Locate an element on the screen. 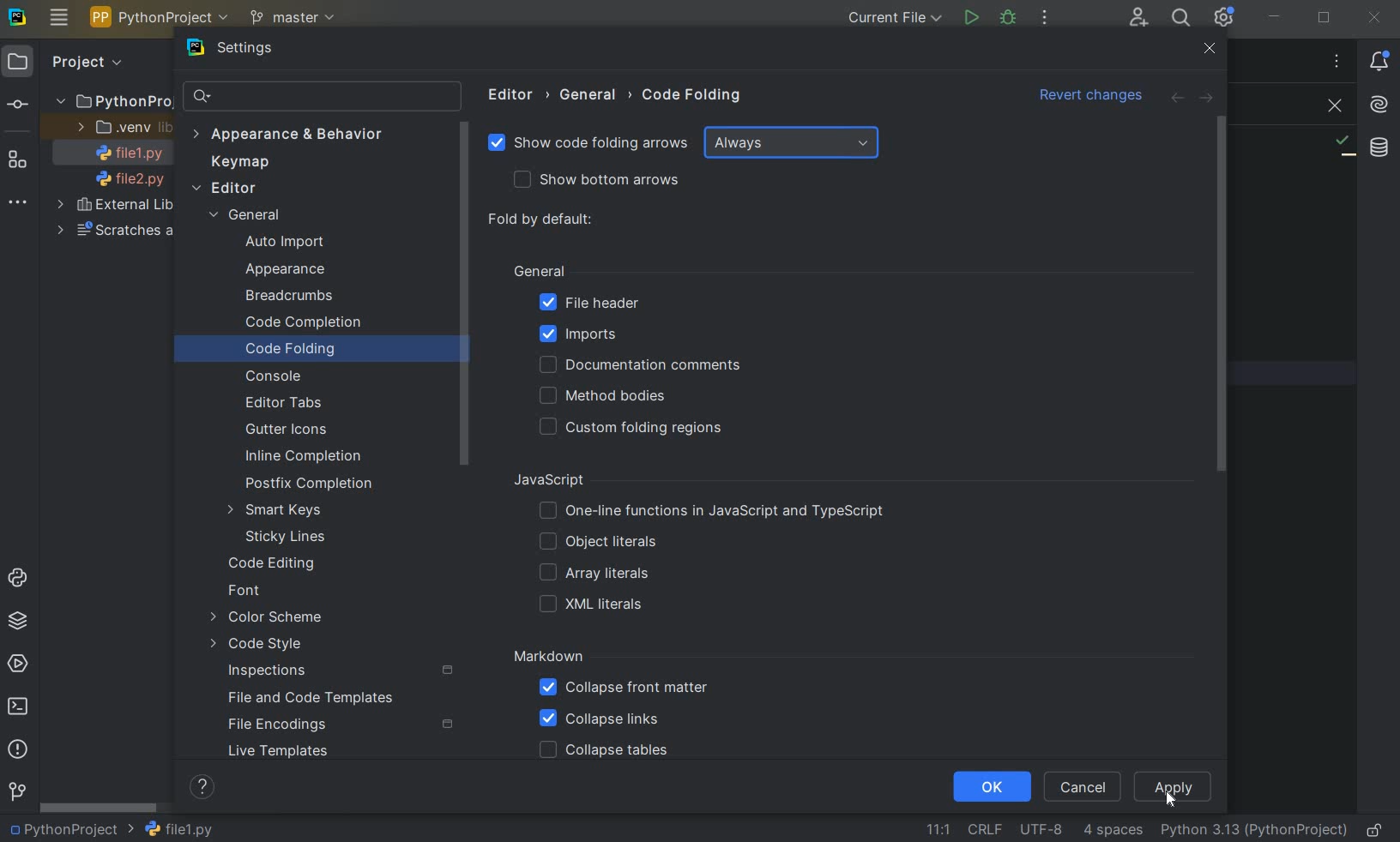 The width and height of the screenshot is (1400, 842). MARKDOWN is located at coordinates (549, 657).